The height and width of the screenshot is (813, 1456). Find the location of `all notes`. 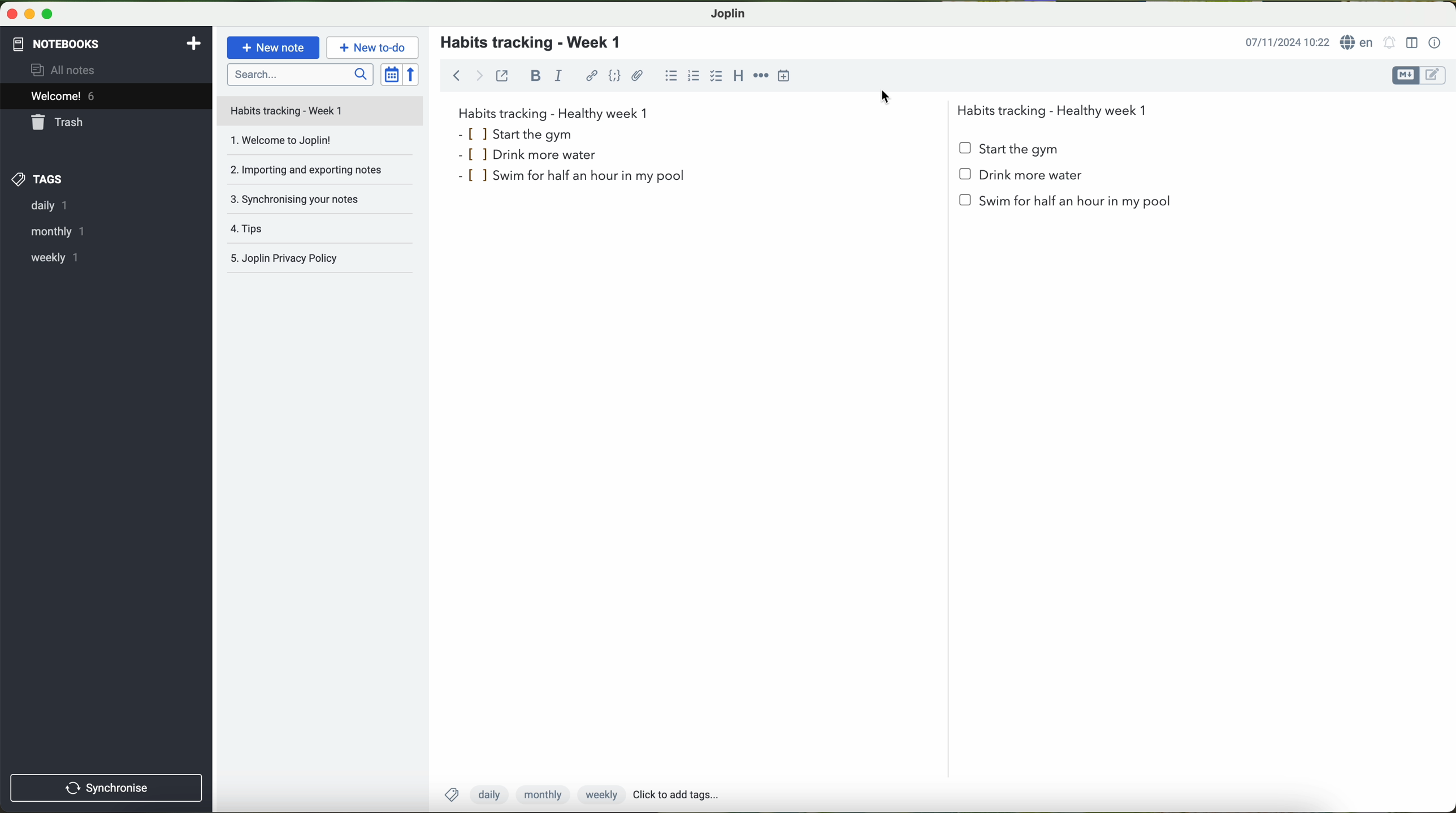

all notes is located at coordinates (66, 69).